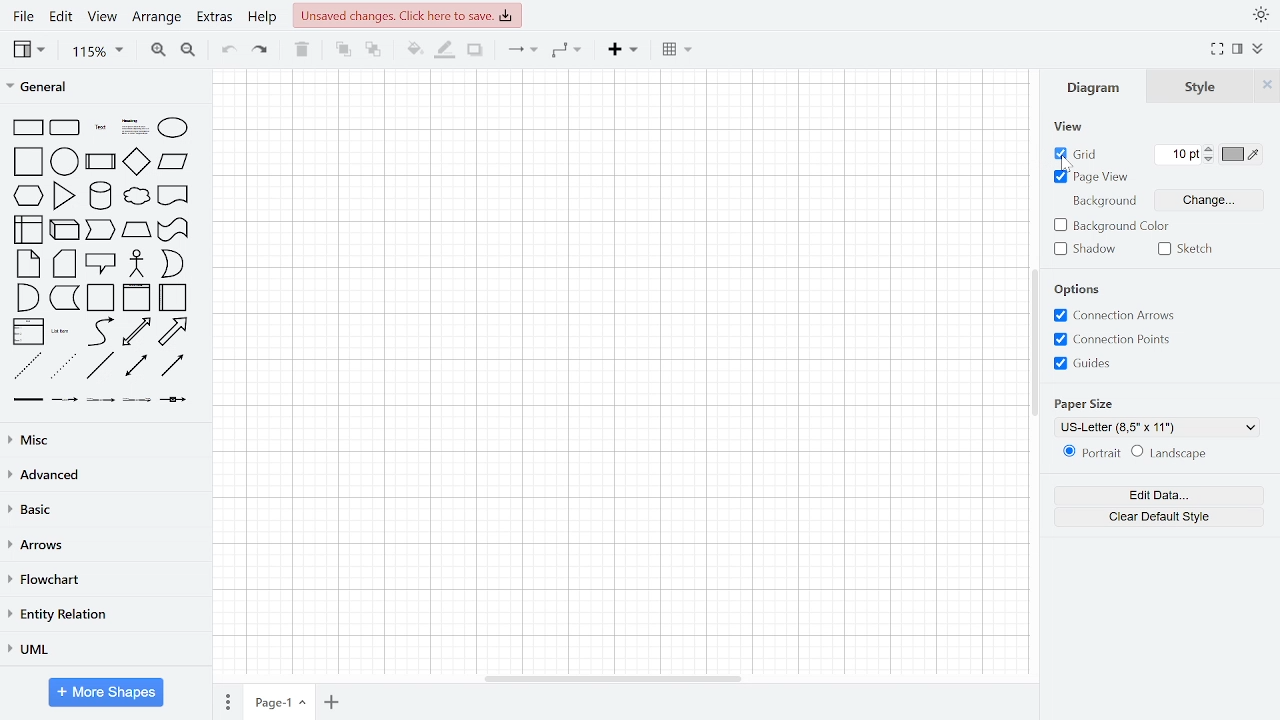 The height and width of the screenshot is (720, 1280). What do you see at coordinates (136, 399) in the screenshot?
I see `connector with 3 labels` at bounding box center [136, 399].